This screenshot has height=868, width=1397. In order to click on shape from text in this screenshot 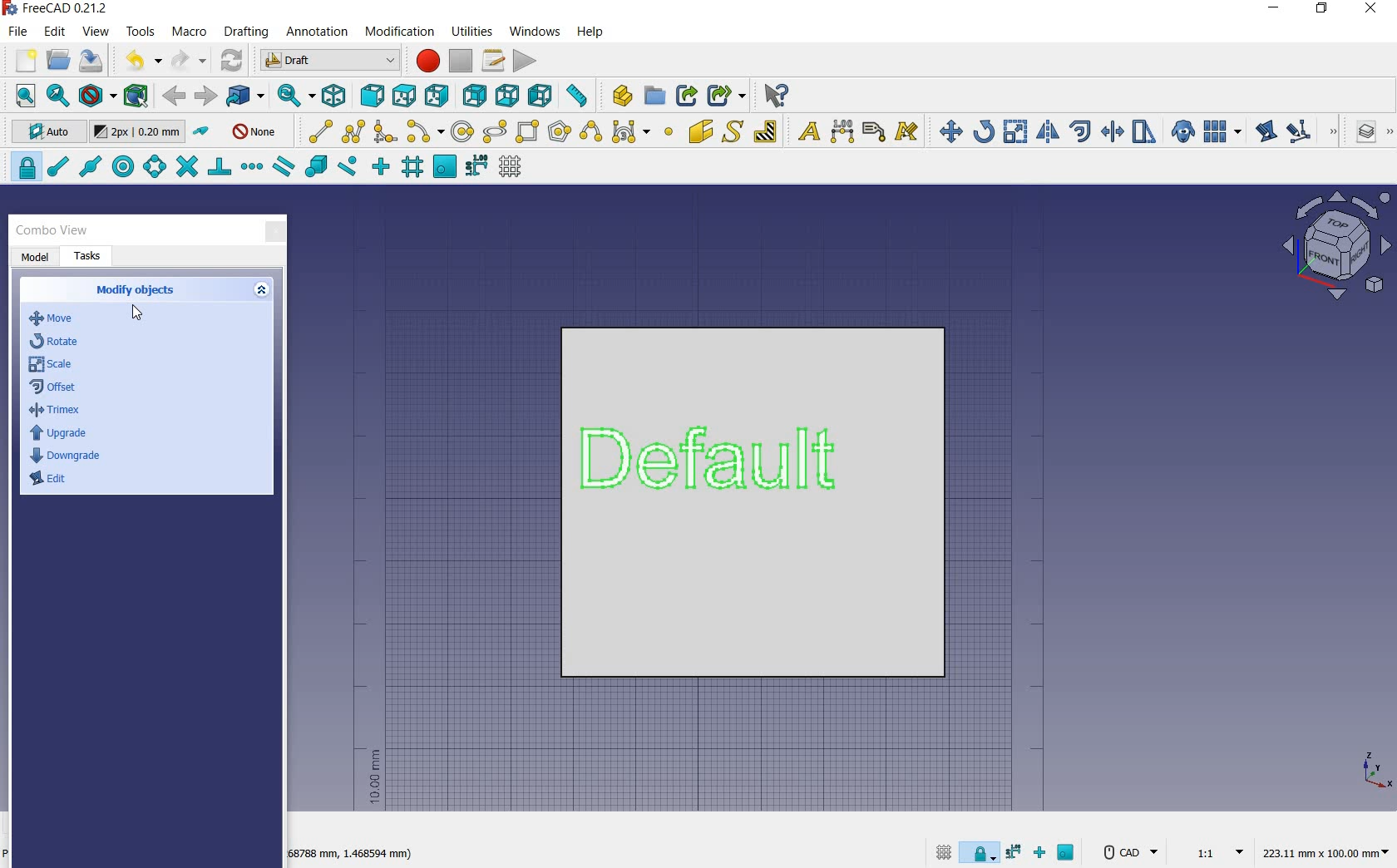, I will do `click(732, 131)`.